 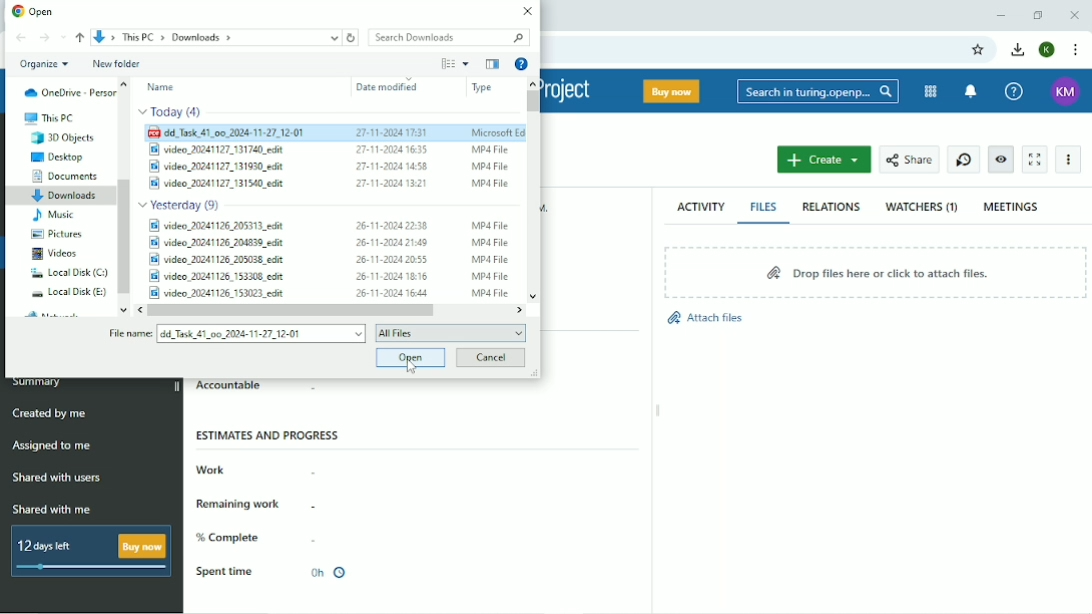 I want to click on Search, so click(x=817, y=90).